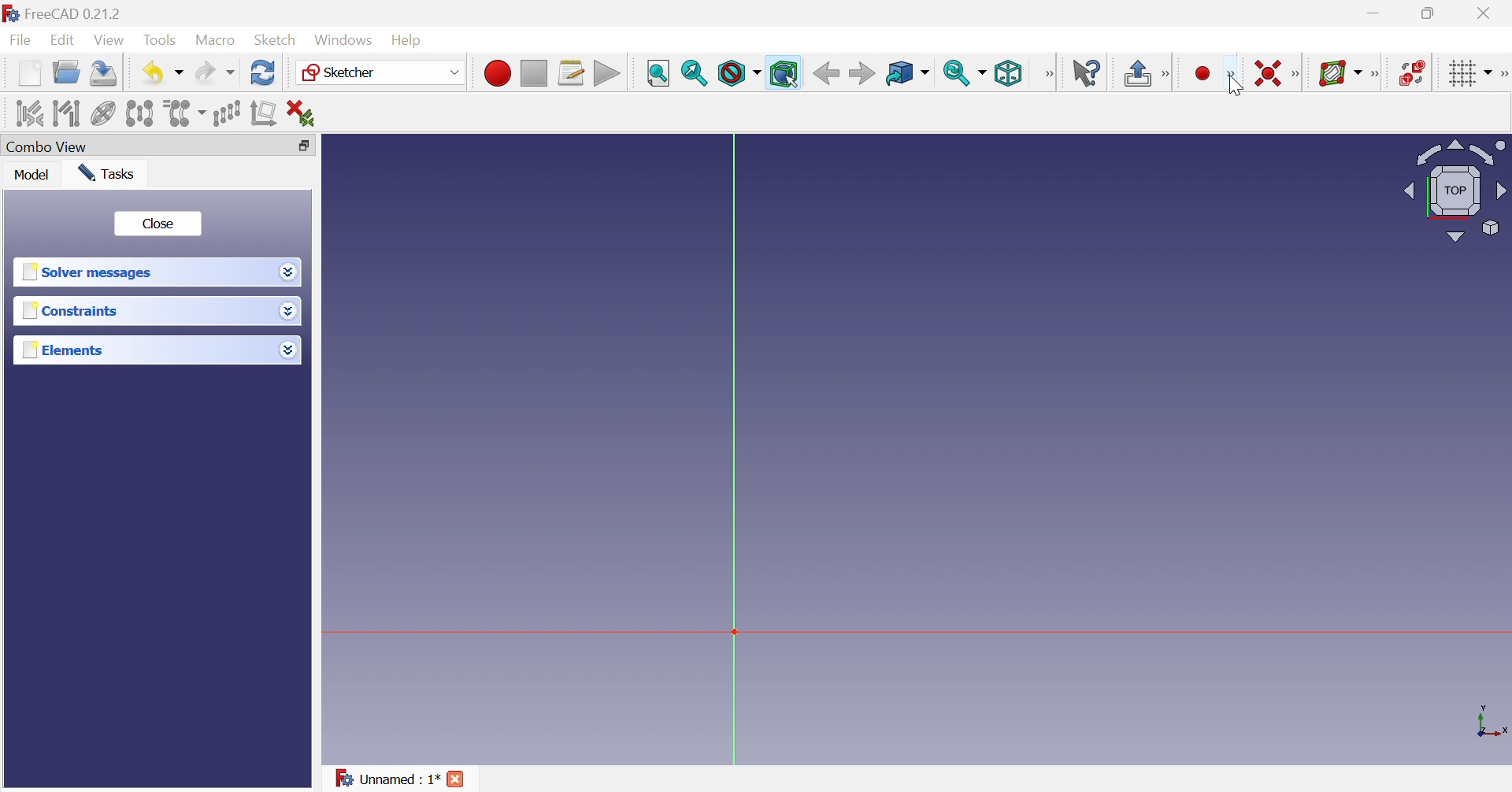  I want to click on File, so click(22, 41).